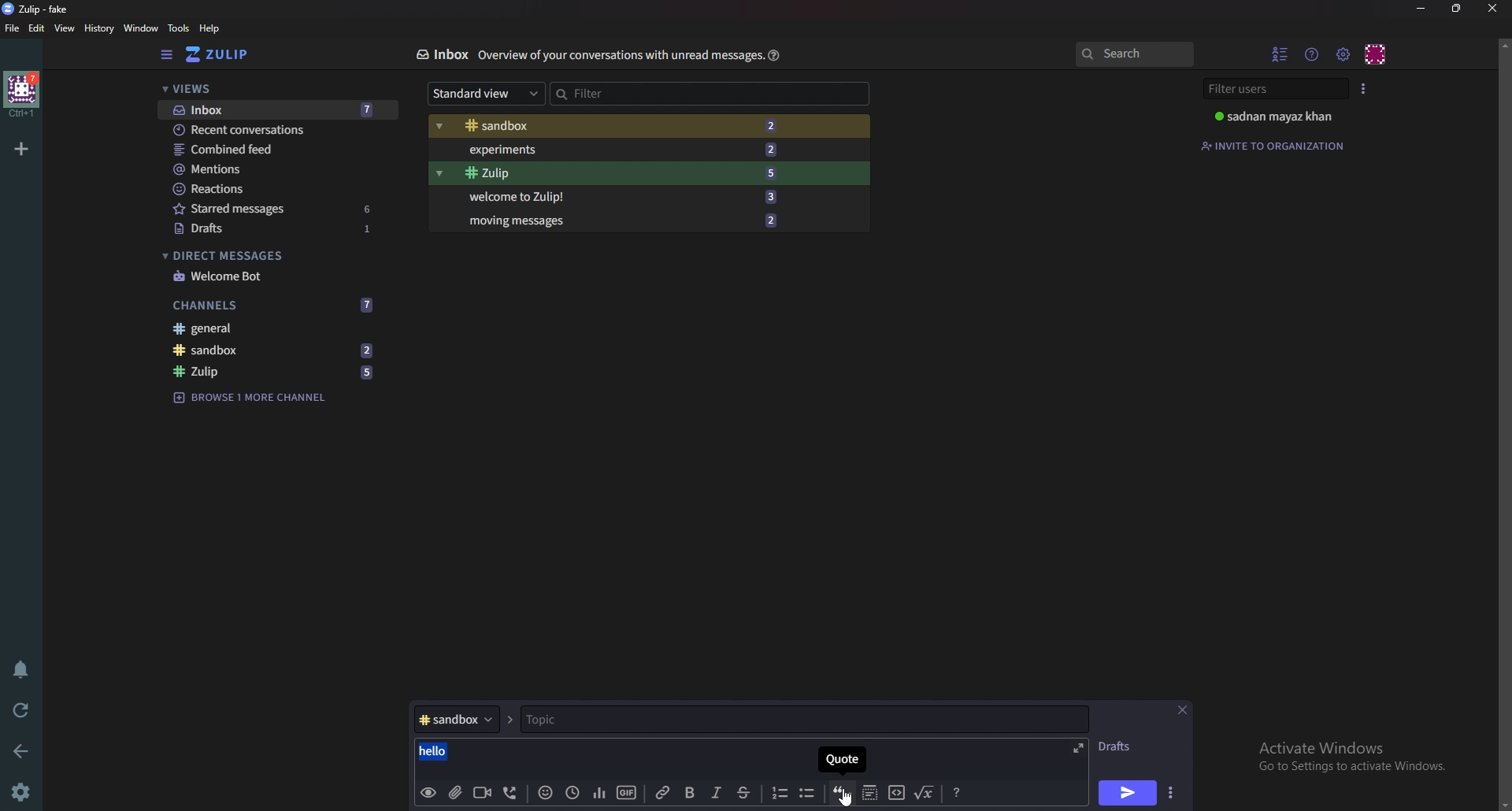 The image size is (1512, 811). I want to click on # sandbox, so click(455, 718).